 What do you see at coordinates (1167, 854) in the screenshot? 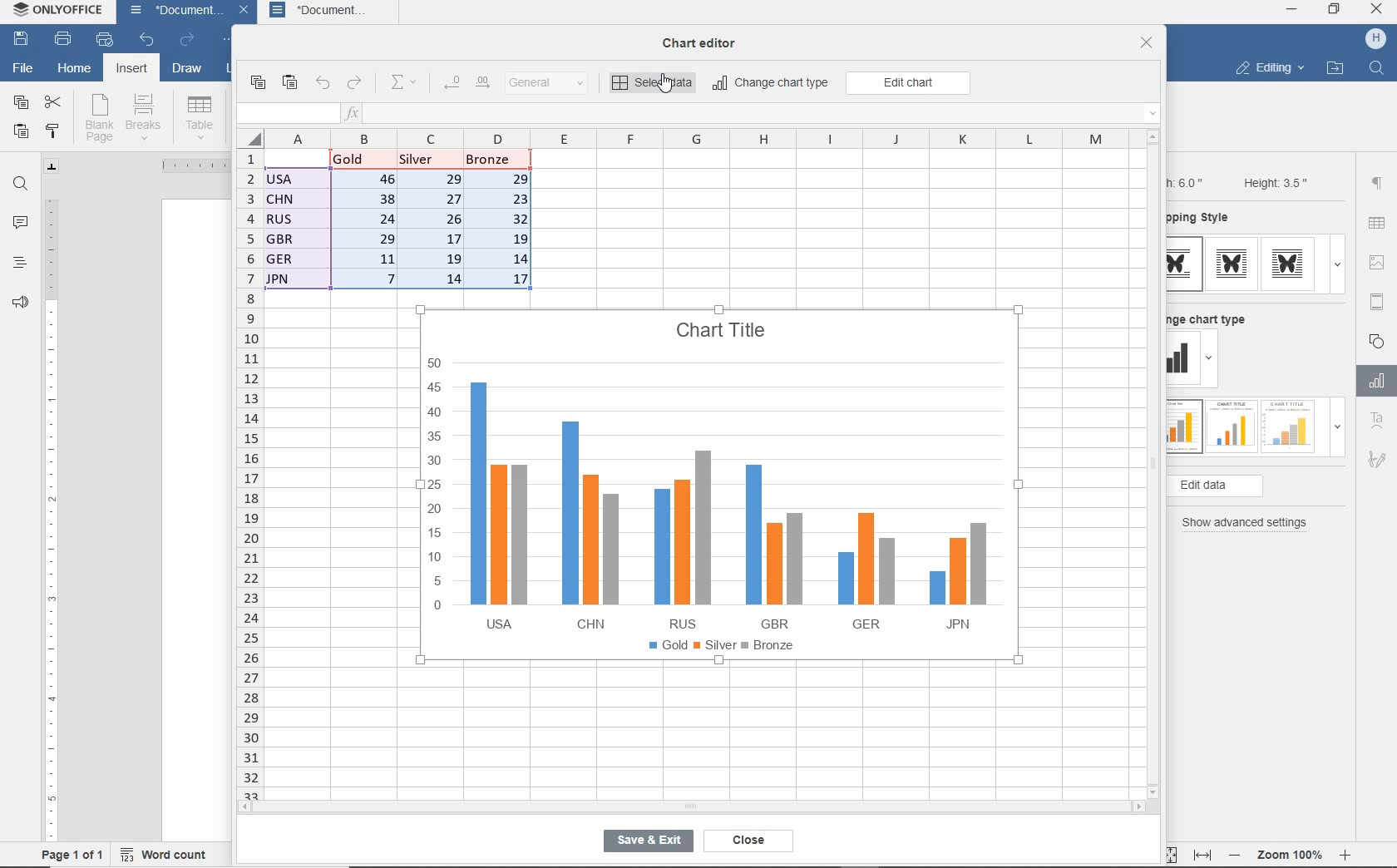
I see `fit to page` at bounding box center [1167, 854].